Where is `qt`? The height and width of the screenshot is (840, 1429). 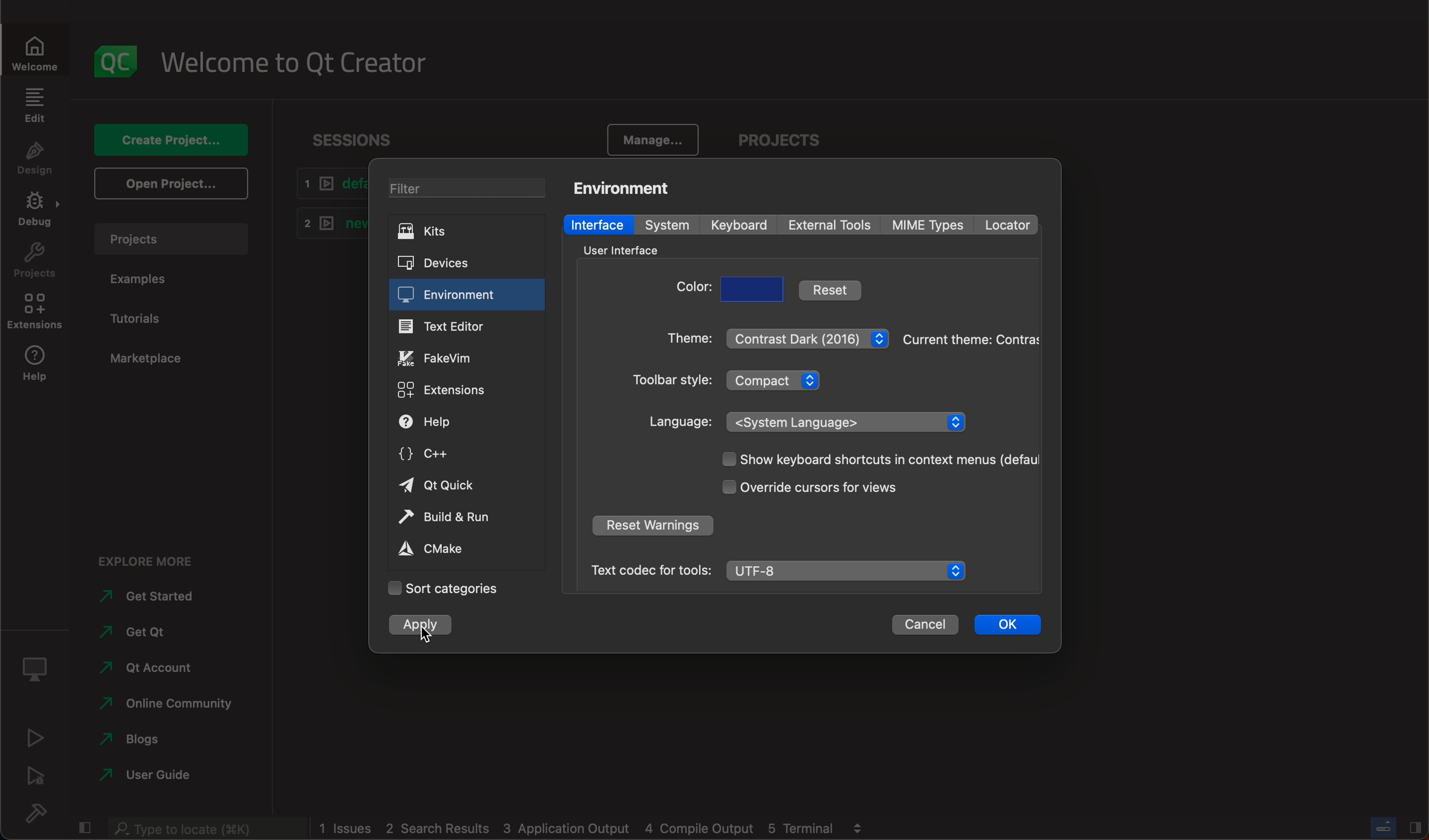 qt is located at coordinates (461, 486).